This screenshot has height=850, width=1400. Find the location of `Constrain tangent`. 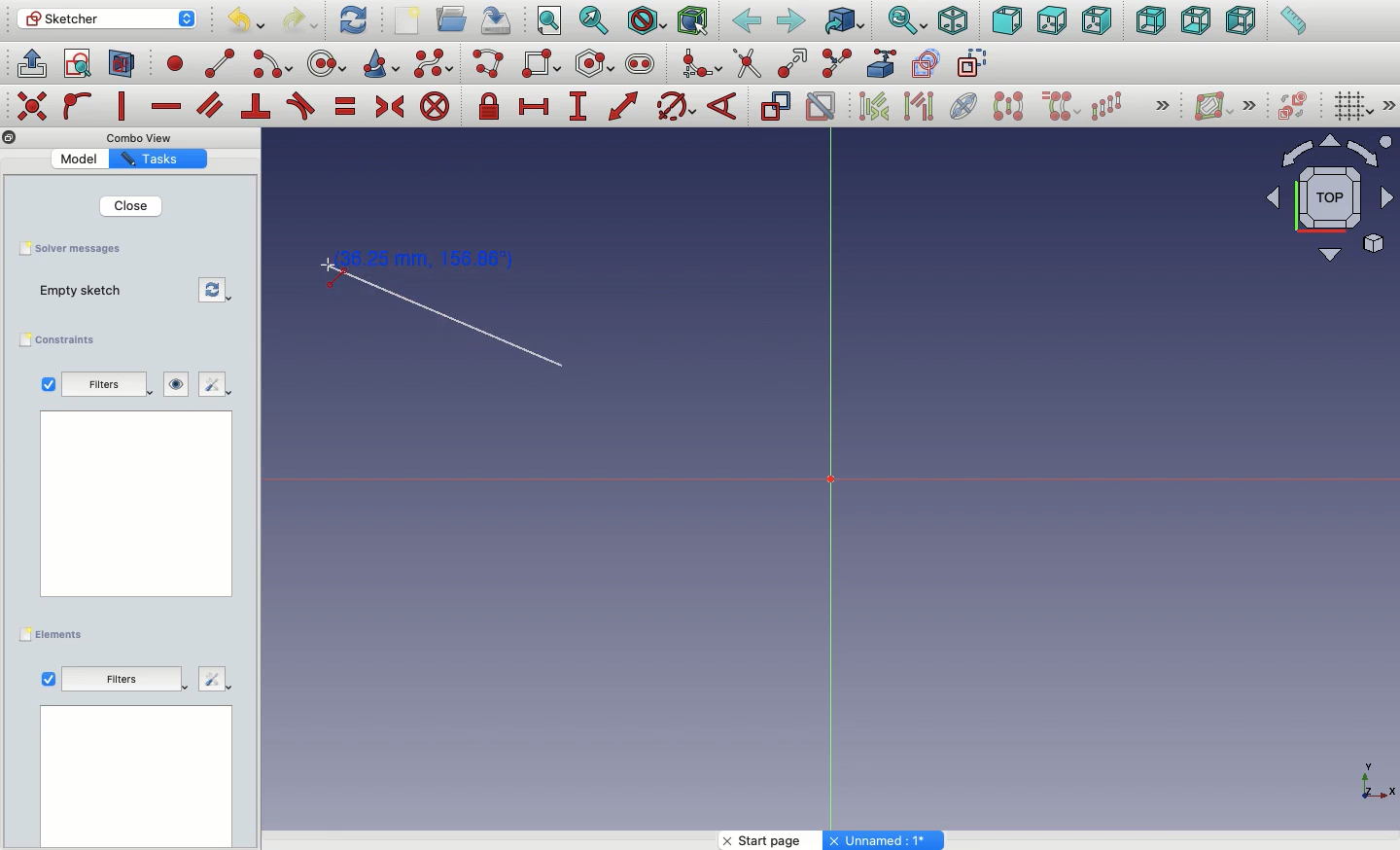

Constrain tangent is located at coordinates (301, 106).